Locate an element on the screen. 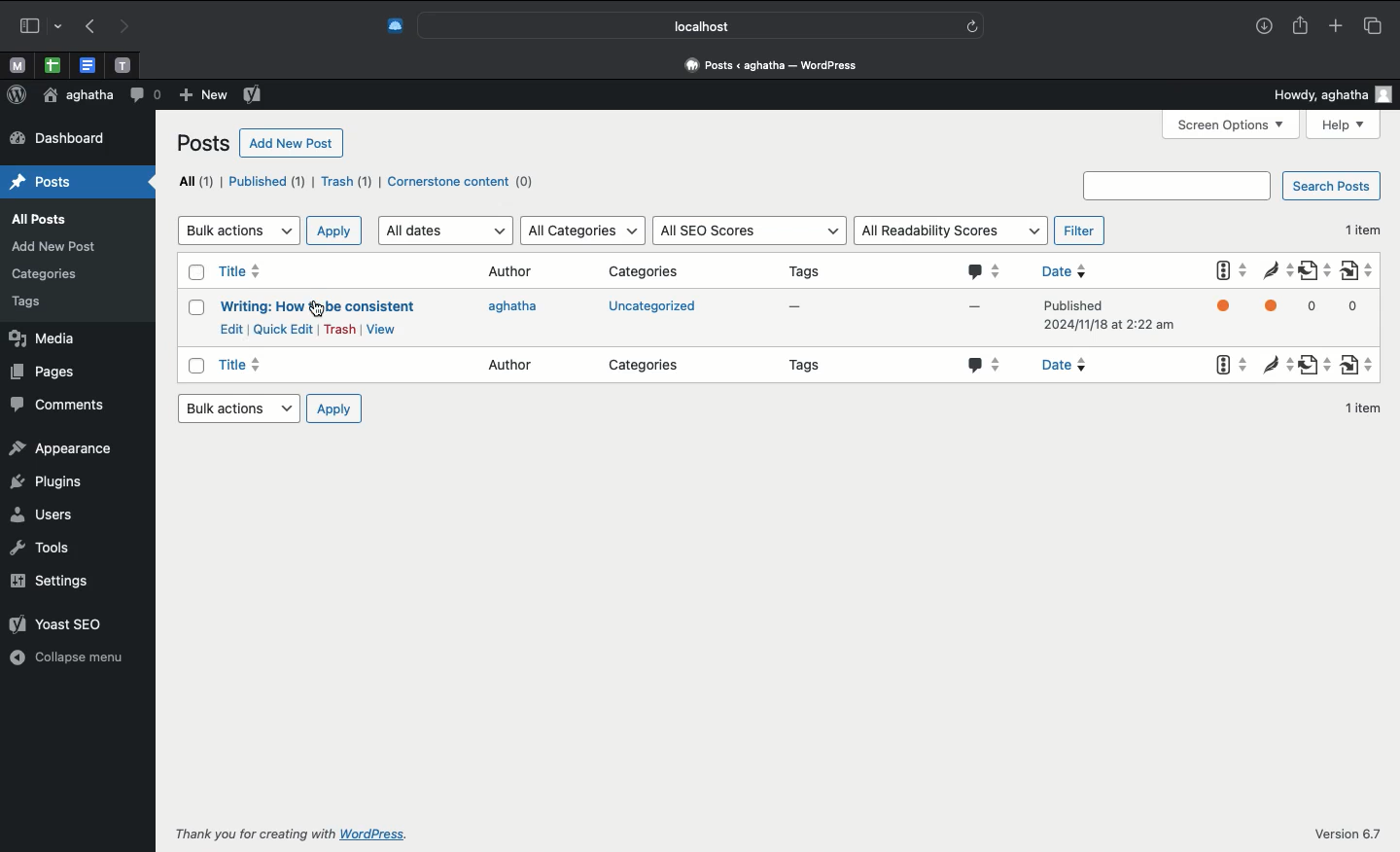 This screenshot has height=852, width=1400. Yoast is located at coordinates (1225, 366).